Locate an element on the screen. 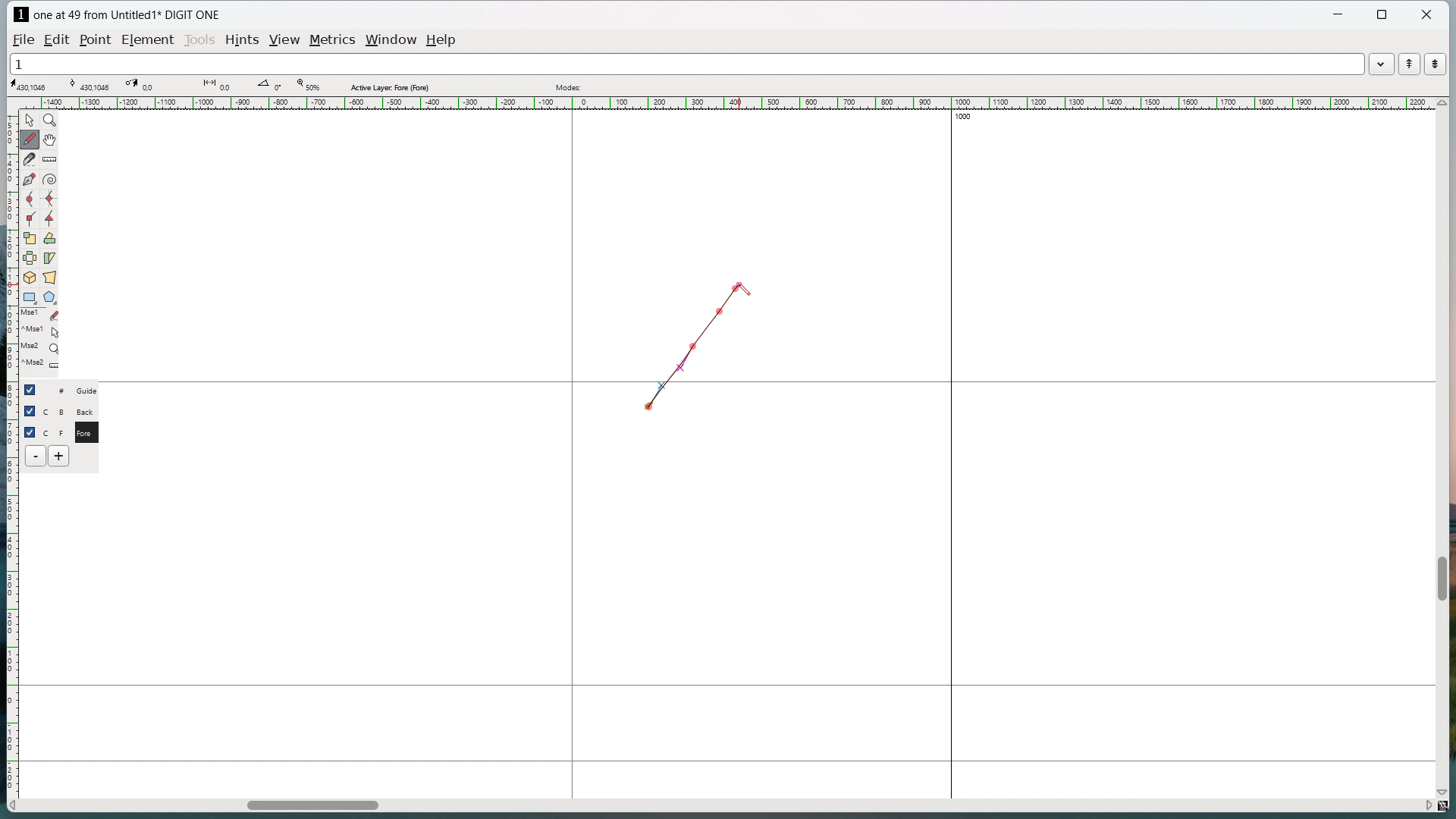 This screenshot has height=819, width=1456. toggle spiral is located at coordinates (50, 180).